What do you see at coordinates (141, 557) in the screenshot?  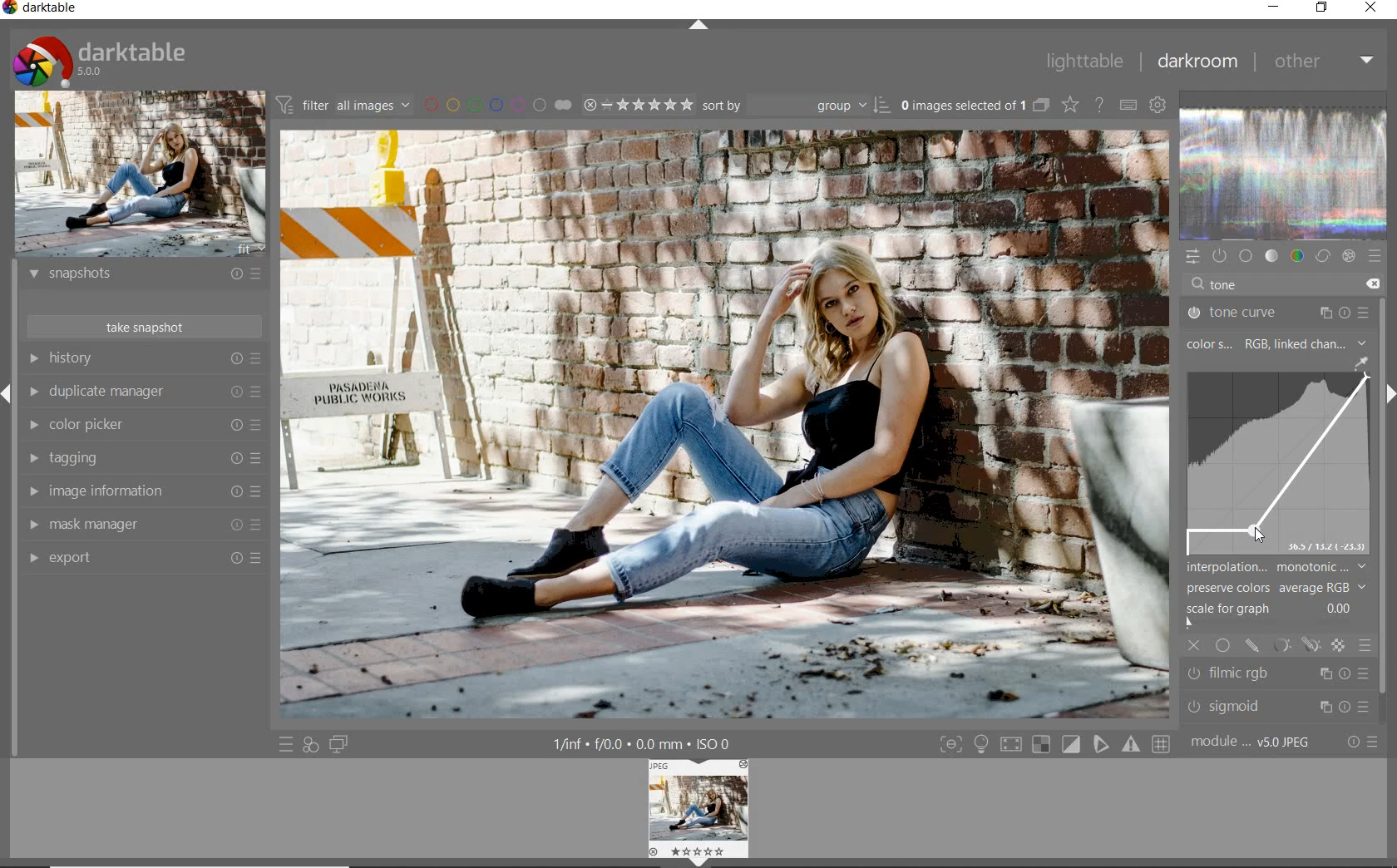 I see `export` at bounding box center [141, 557].